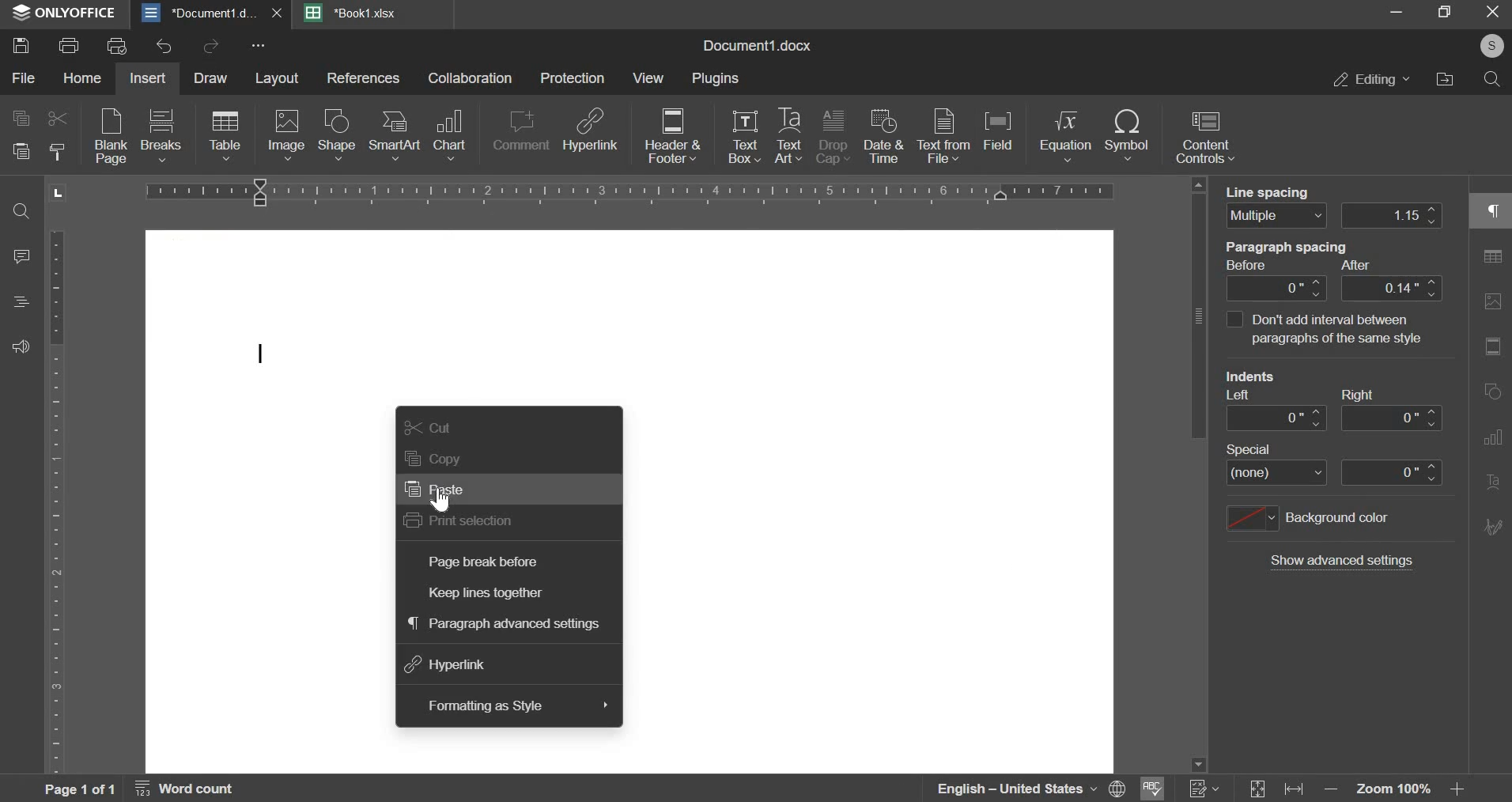 The width and height of the screenshot is (1512, 802). What do you see at coordinates (745, 138) in the screenshot?
I see `text box` at bounding box center [745, 138].